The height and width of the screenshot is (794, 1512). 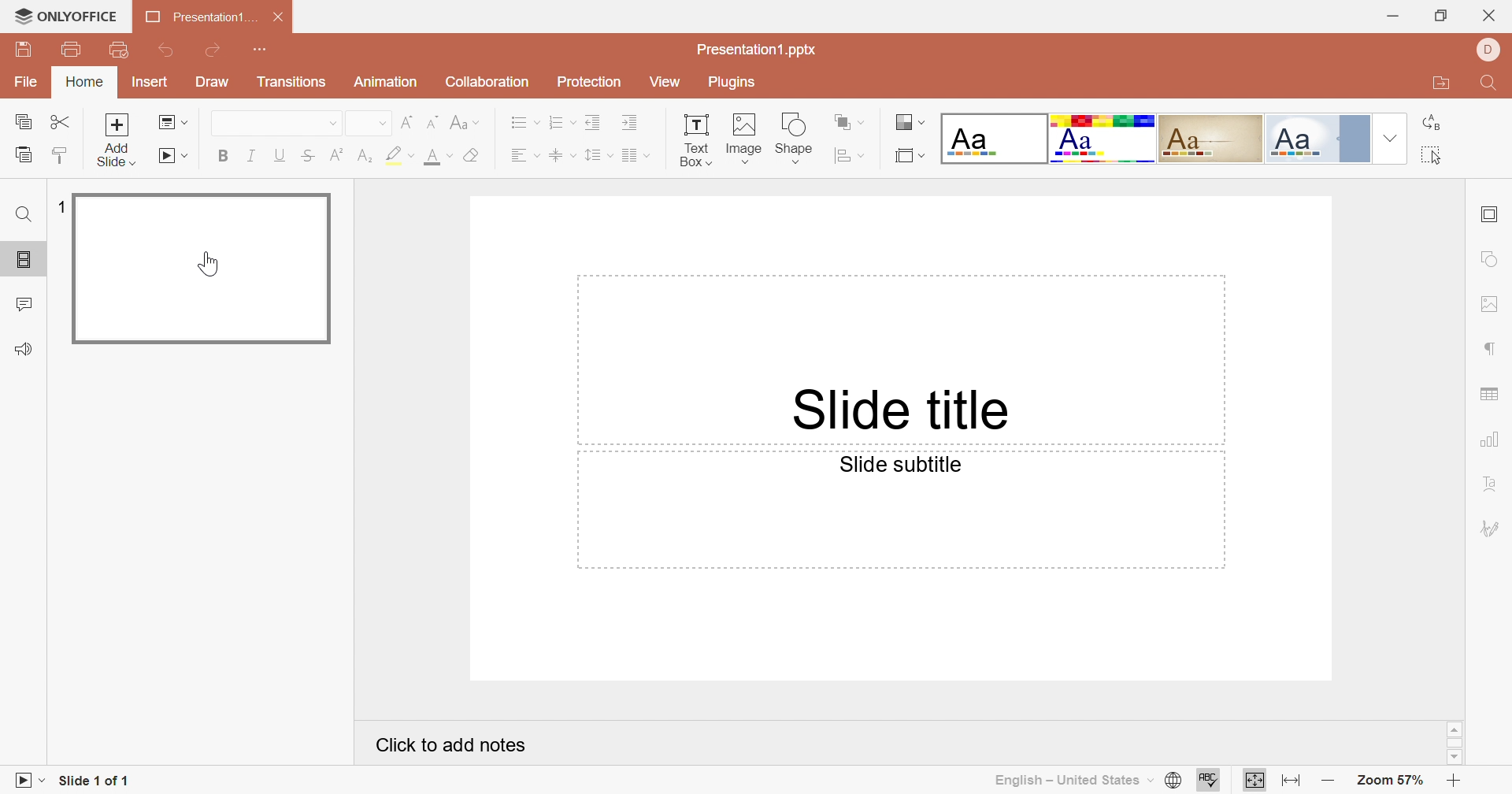 I want to click on Underline, so click(x=277, y=154).